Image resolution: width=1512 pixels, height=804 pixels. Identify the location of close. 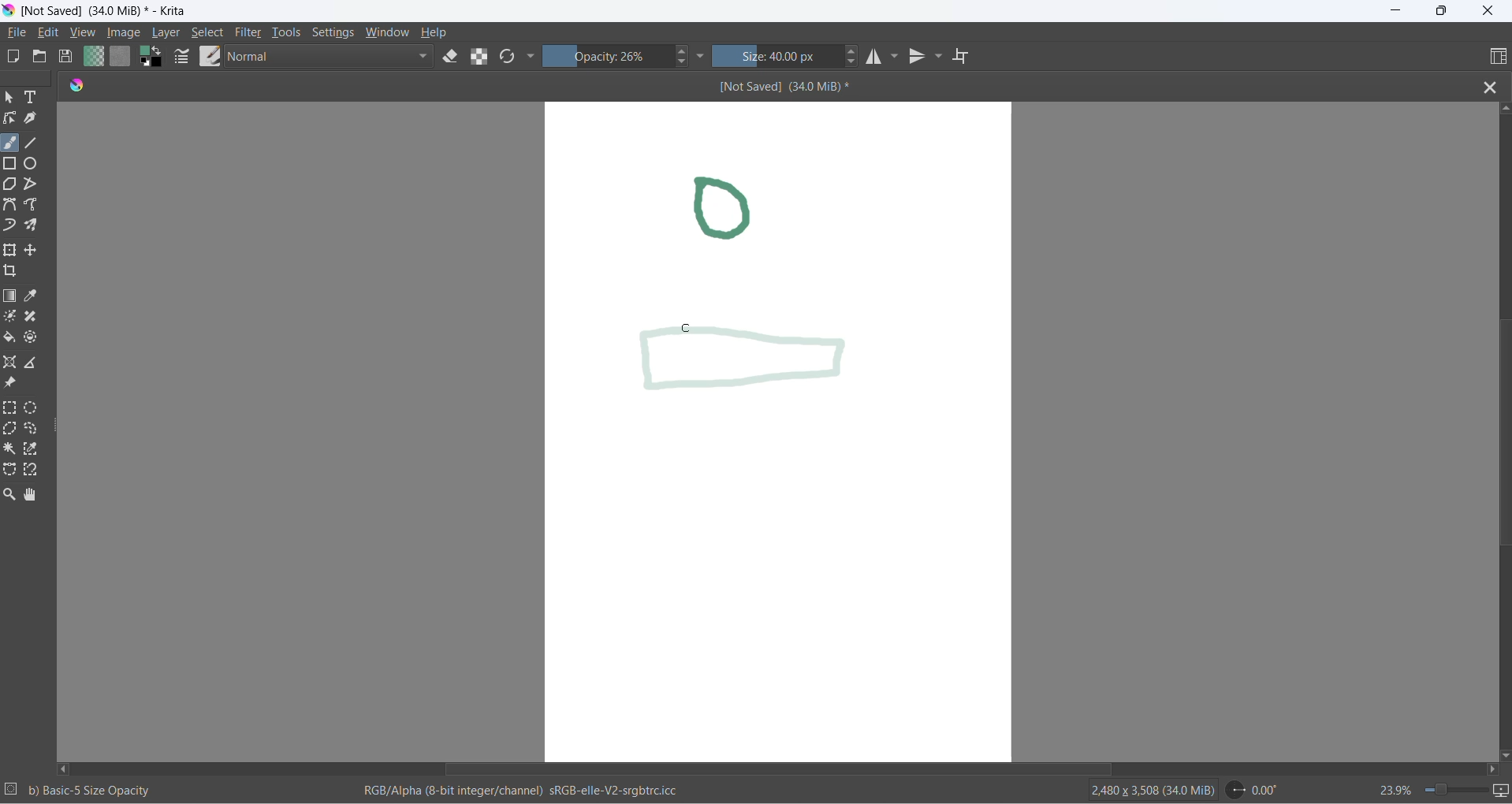
(1488, 13).